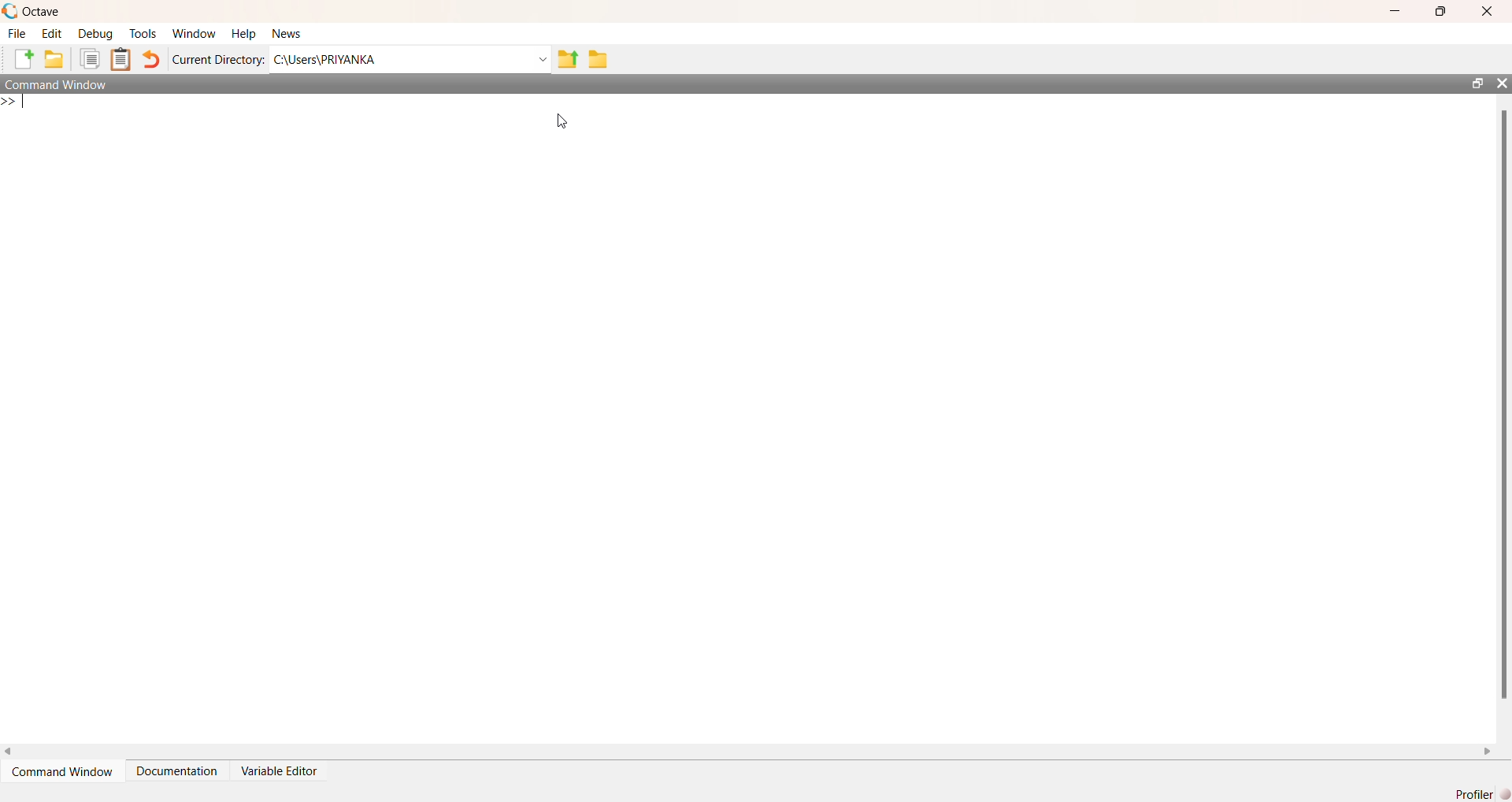 The width and height of the screenshot is (1512, 802). Describe the element at coordinates (60, 774) in the screenshot. I see `command window` at that location.